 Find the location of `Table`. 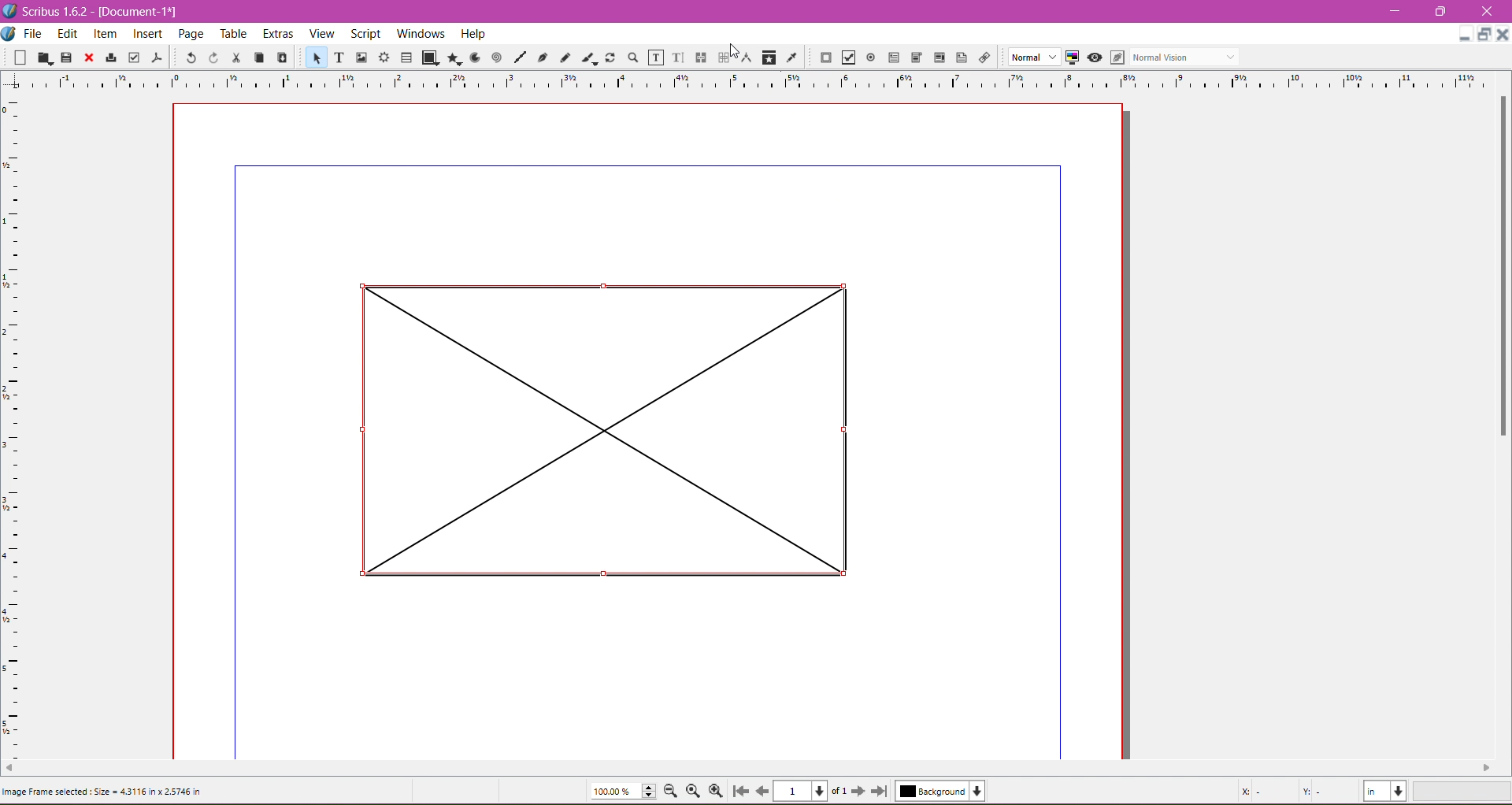

Table is located at coordinates (406, 57).